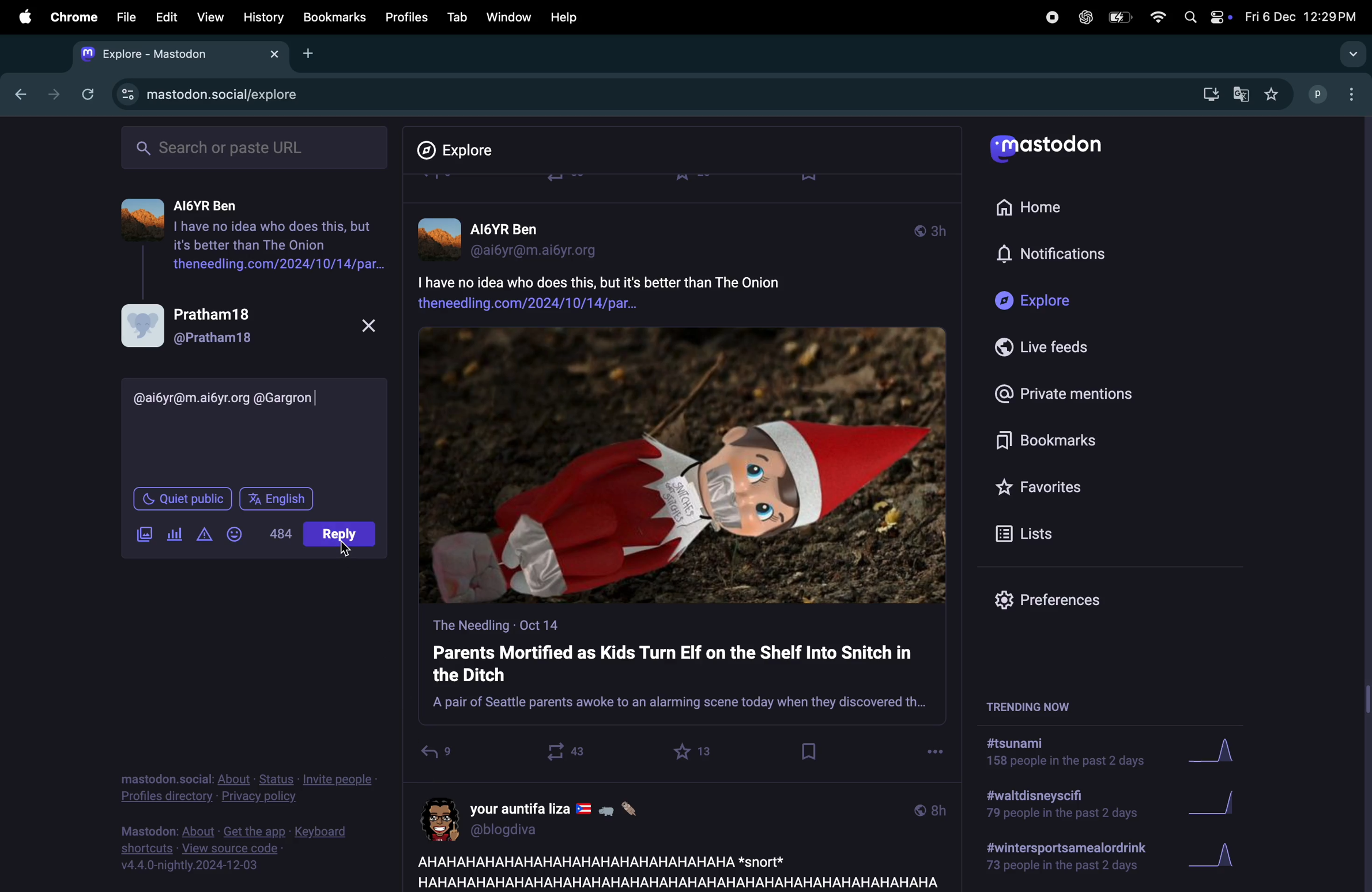  Describe the element at coordinates (20, 16) in the screenshot. I see `apple menu` at that location.